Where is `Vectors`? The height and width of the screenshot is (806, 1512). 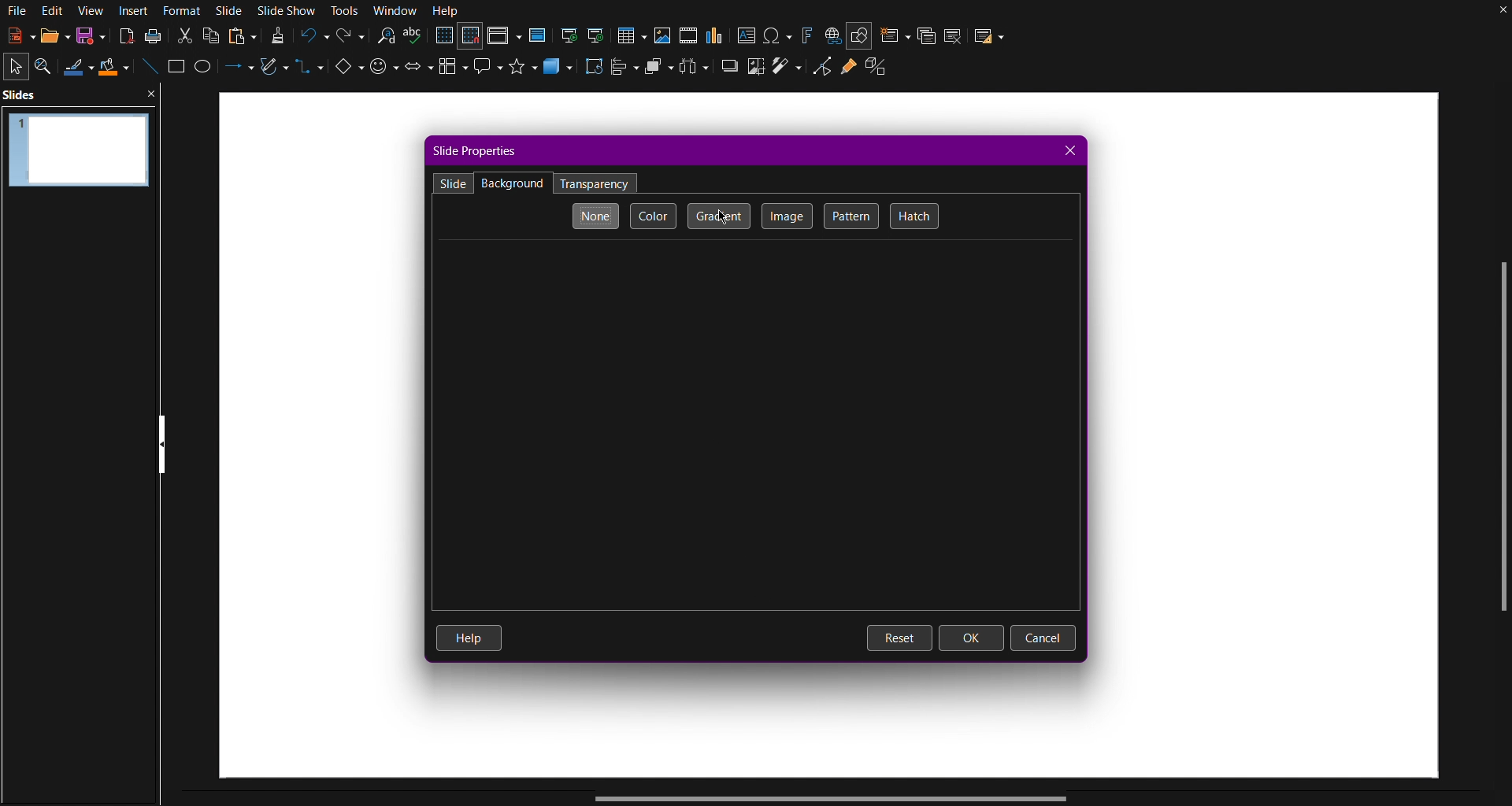
Vectors is located at coordinates (273, 70).